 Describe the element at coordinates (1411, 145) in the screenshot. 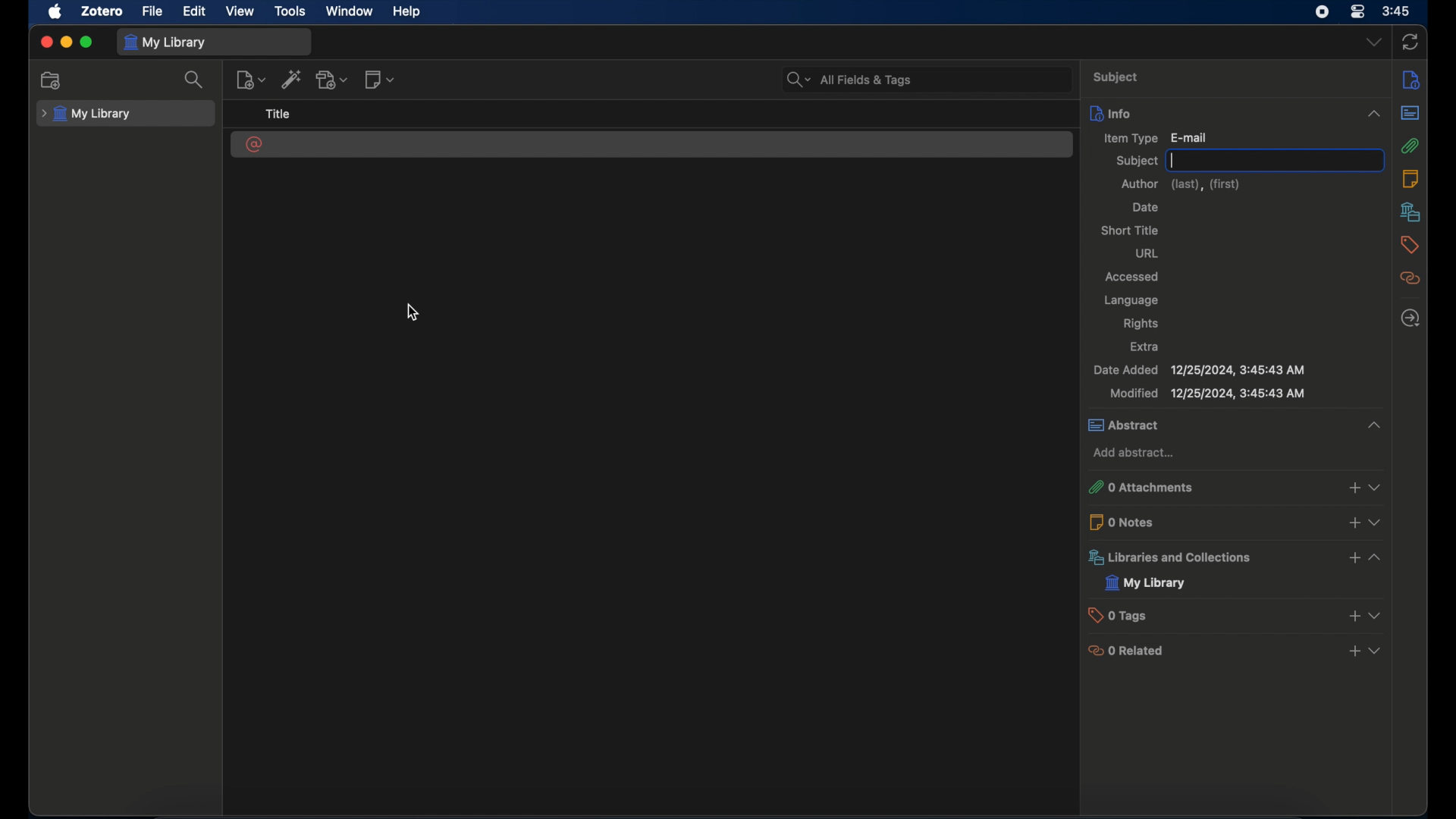

I see `attachments` at that location.